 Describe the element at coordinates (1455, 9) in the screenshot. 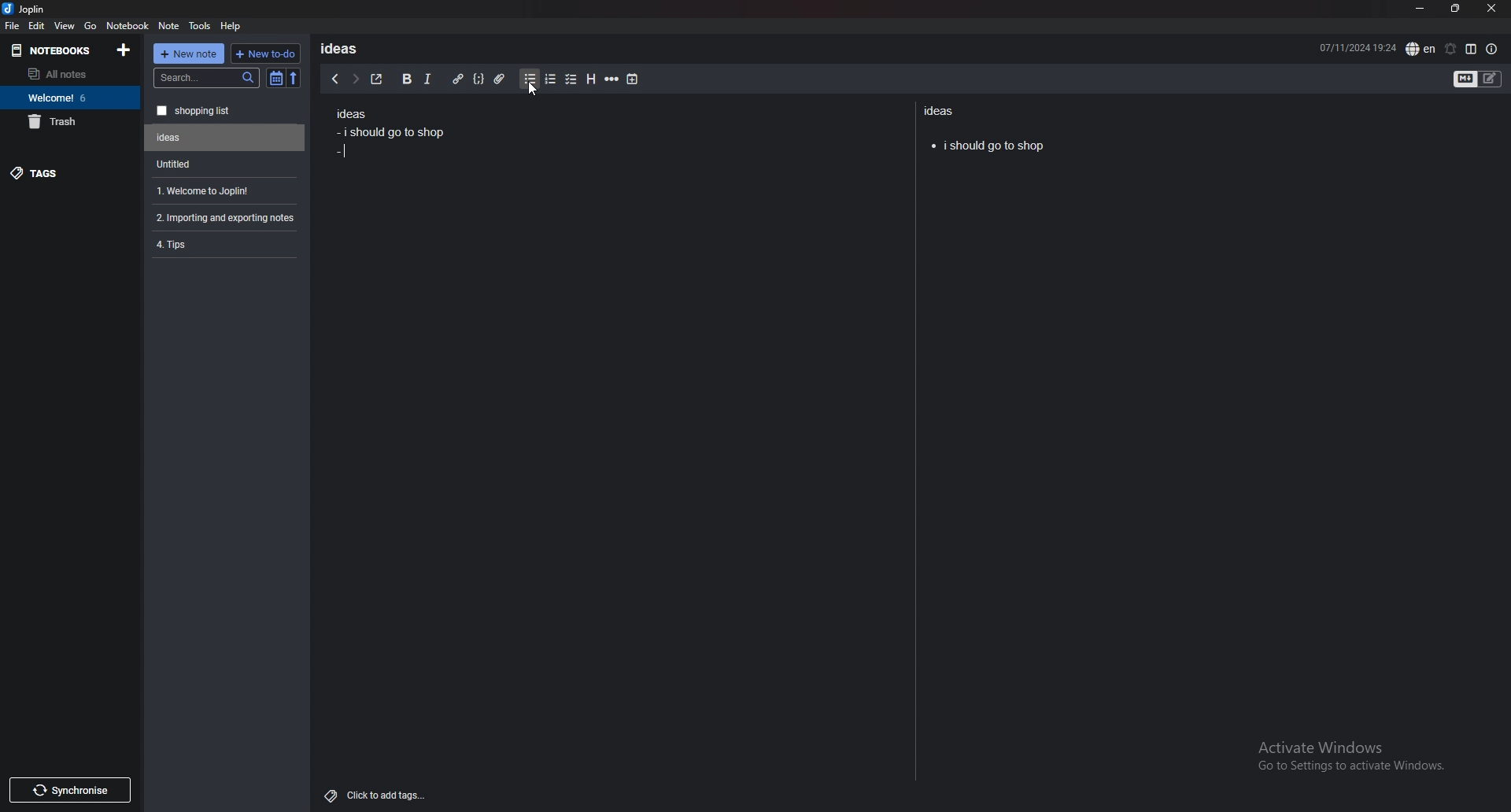

I see `resize` at that location.